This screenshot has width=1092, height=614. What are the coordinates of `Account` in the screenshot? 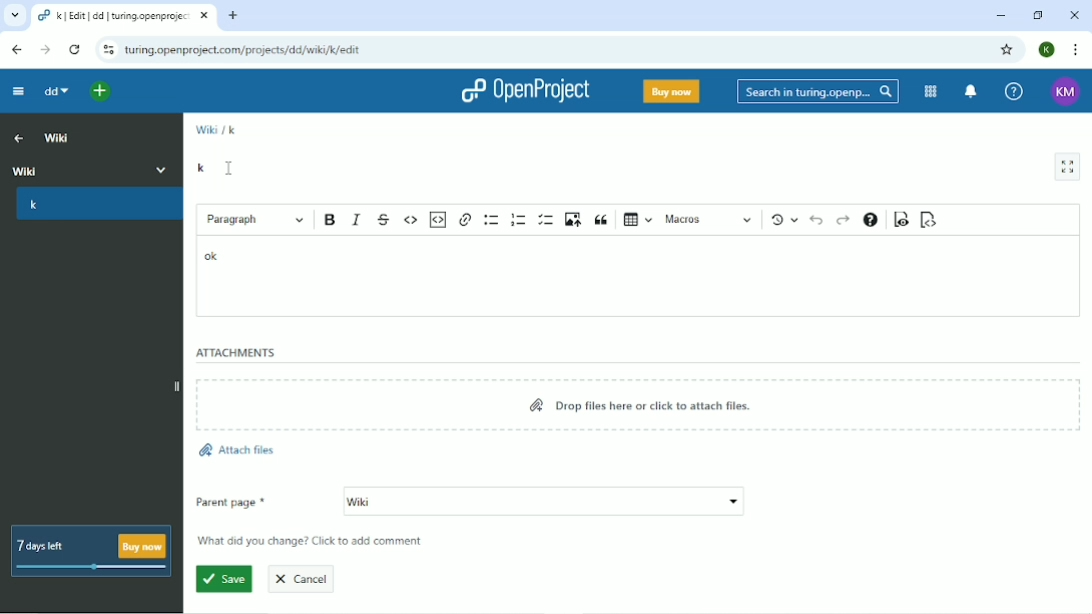 It's located at (1065, 91).